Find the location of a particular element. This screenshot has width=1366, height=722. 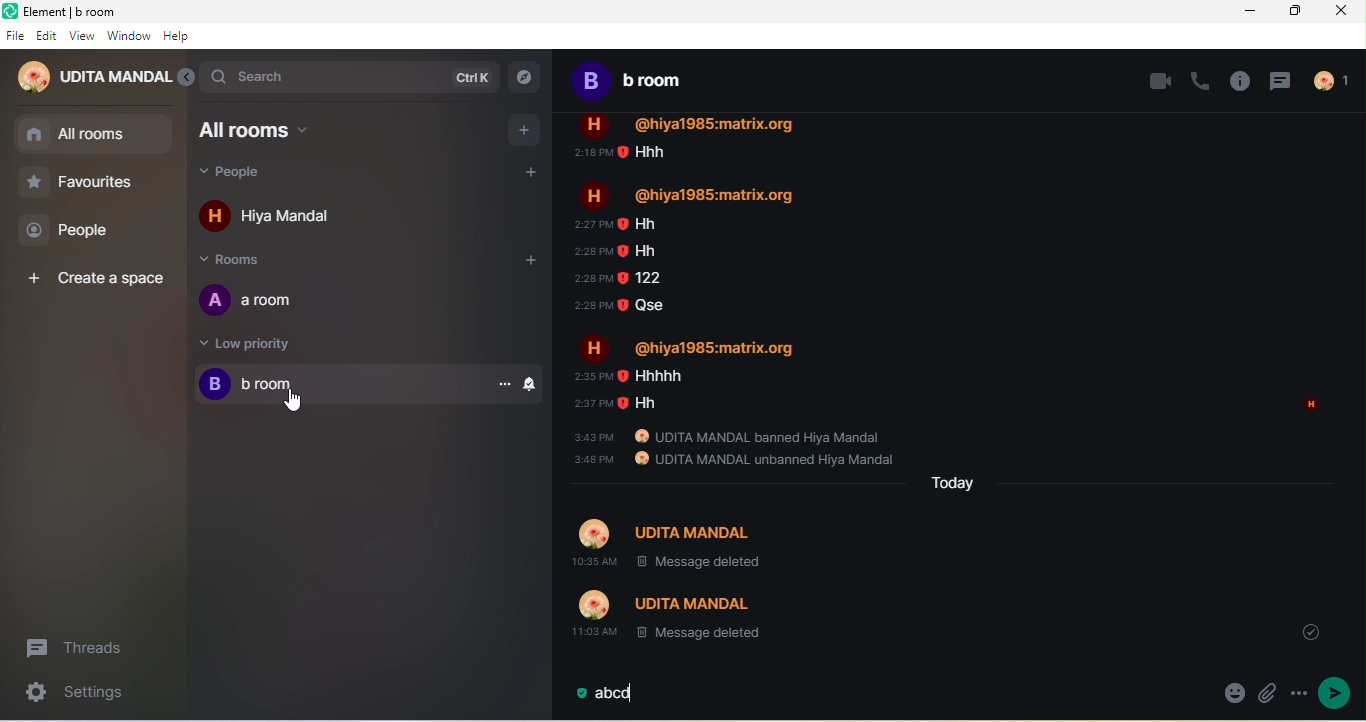

attachment is located at coordinates (1265, 695).